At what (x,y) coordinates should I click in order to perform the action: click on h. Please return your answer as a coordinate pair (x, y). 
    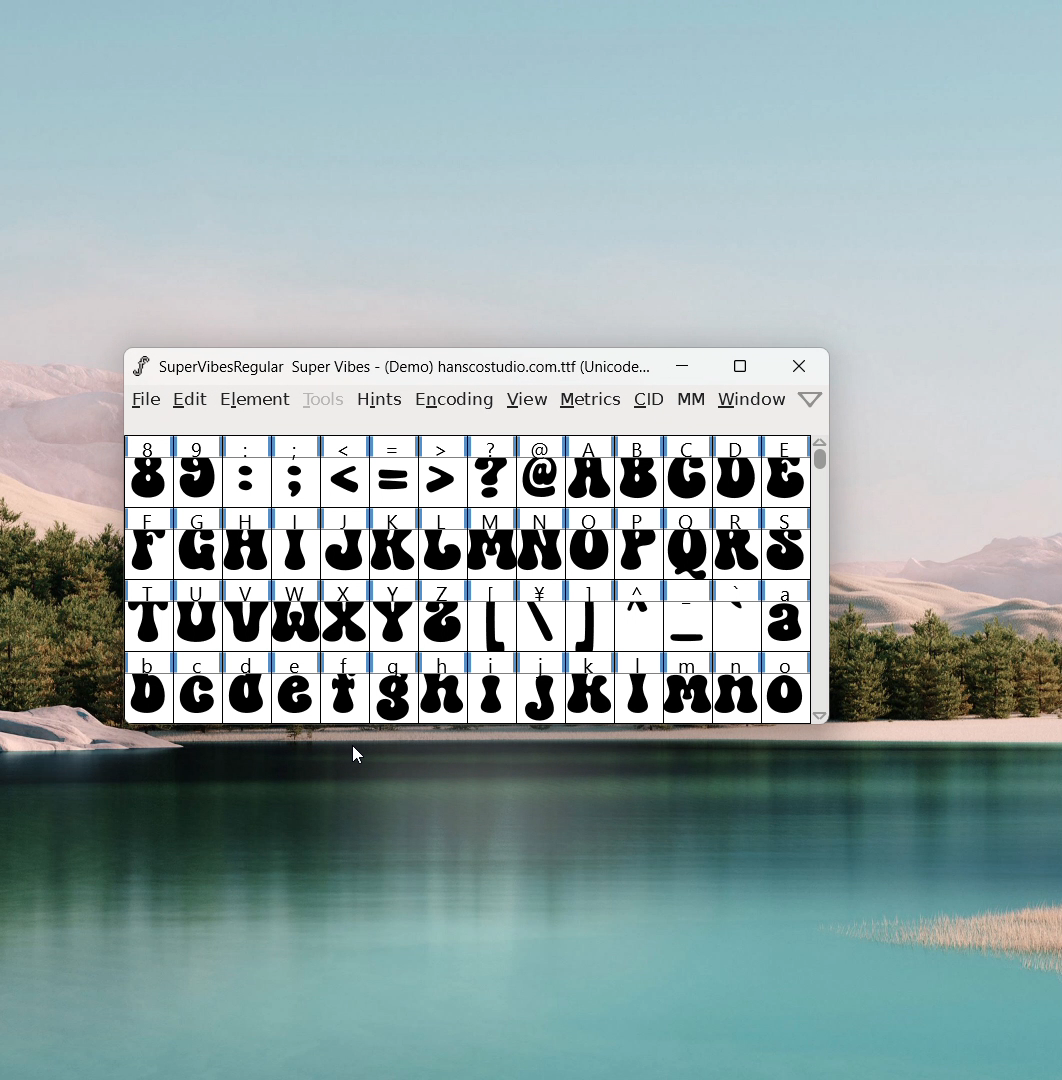
    Looking at the image, I should click on (443, 689).